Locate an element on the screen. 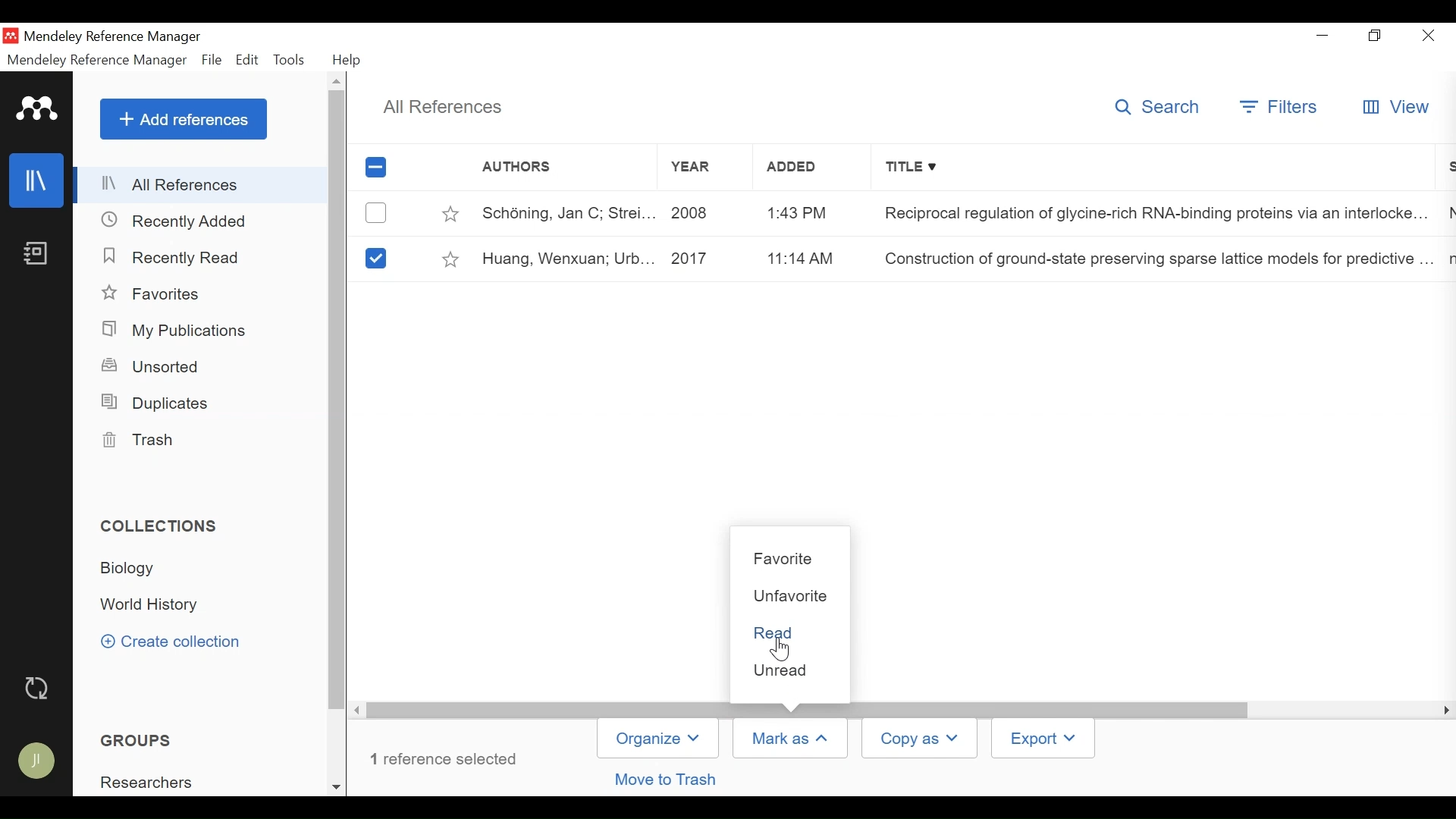  Year is located at coordinates (690, 170).